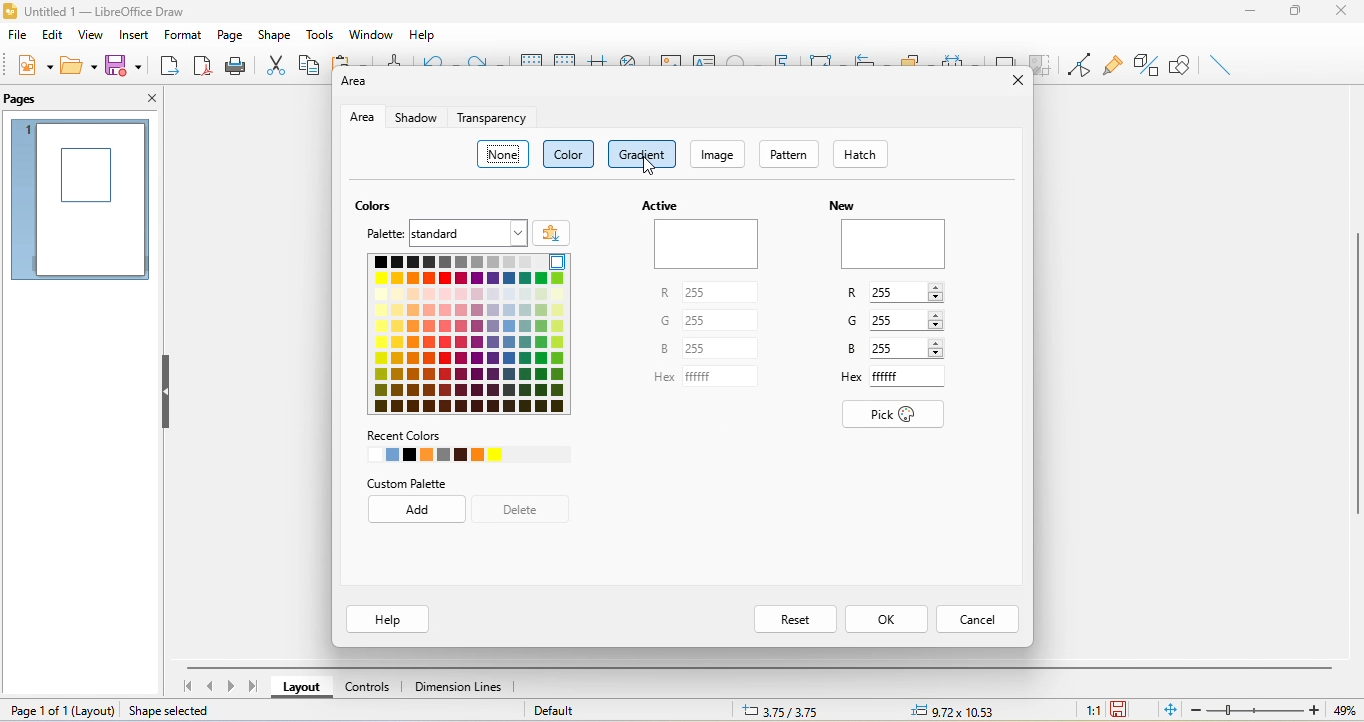  What do you see at coordinates (795, 621) in the screenshot?
I see `reset` at bounding box center [795, 621].